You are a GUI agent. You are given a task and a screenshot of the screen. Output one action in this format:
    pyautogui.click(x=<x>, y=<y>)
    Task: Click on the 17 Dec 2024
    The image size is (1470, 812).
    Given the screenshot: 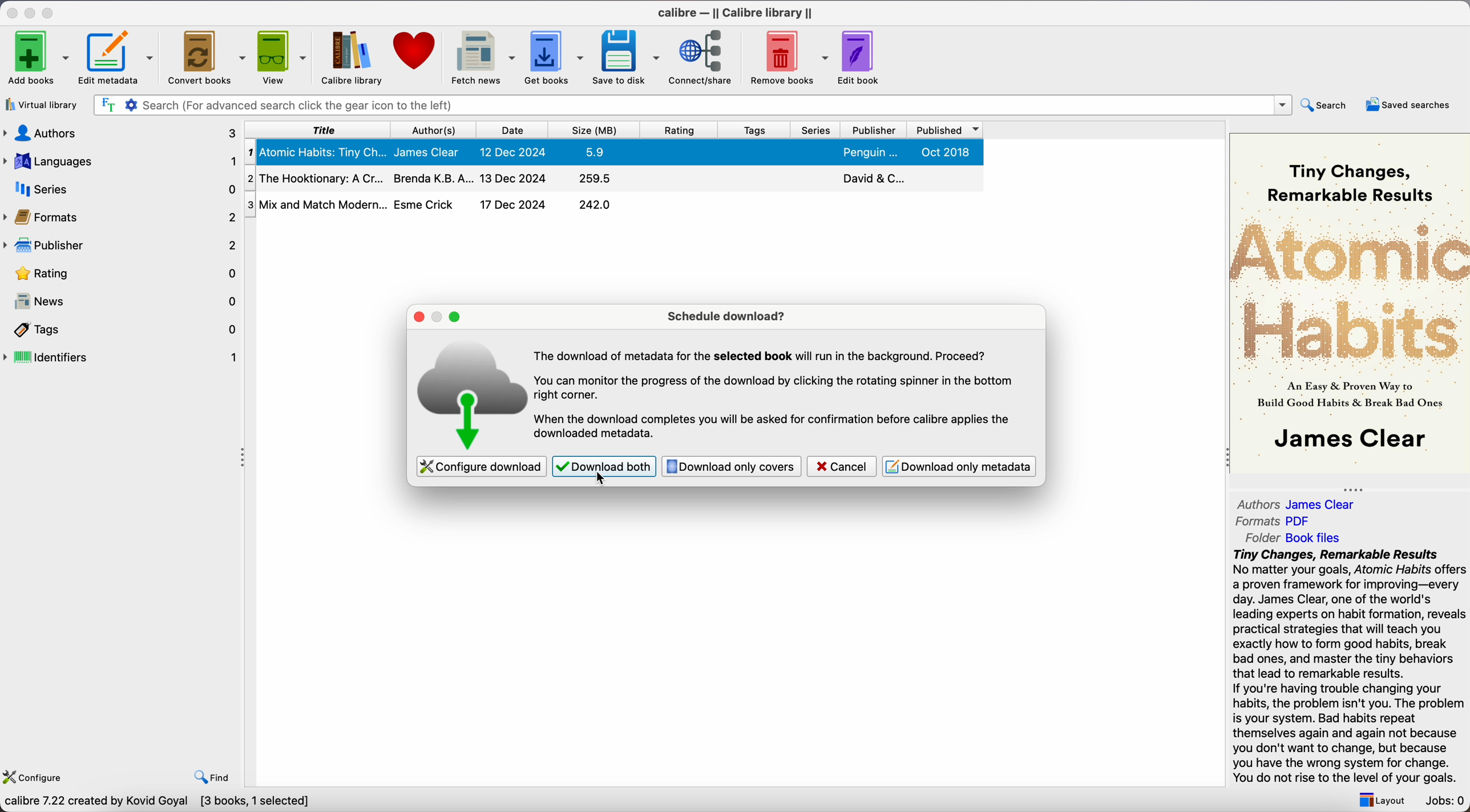 What is the action you would take?
    pyautogui.click(x=513, y=204)
    